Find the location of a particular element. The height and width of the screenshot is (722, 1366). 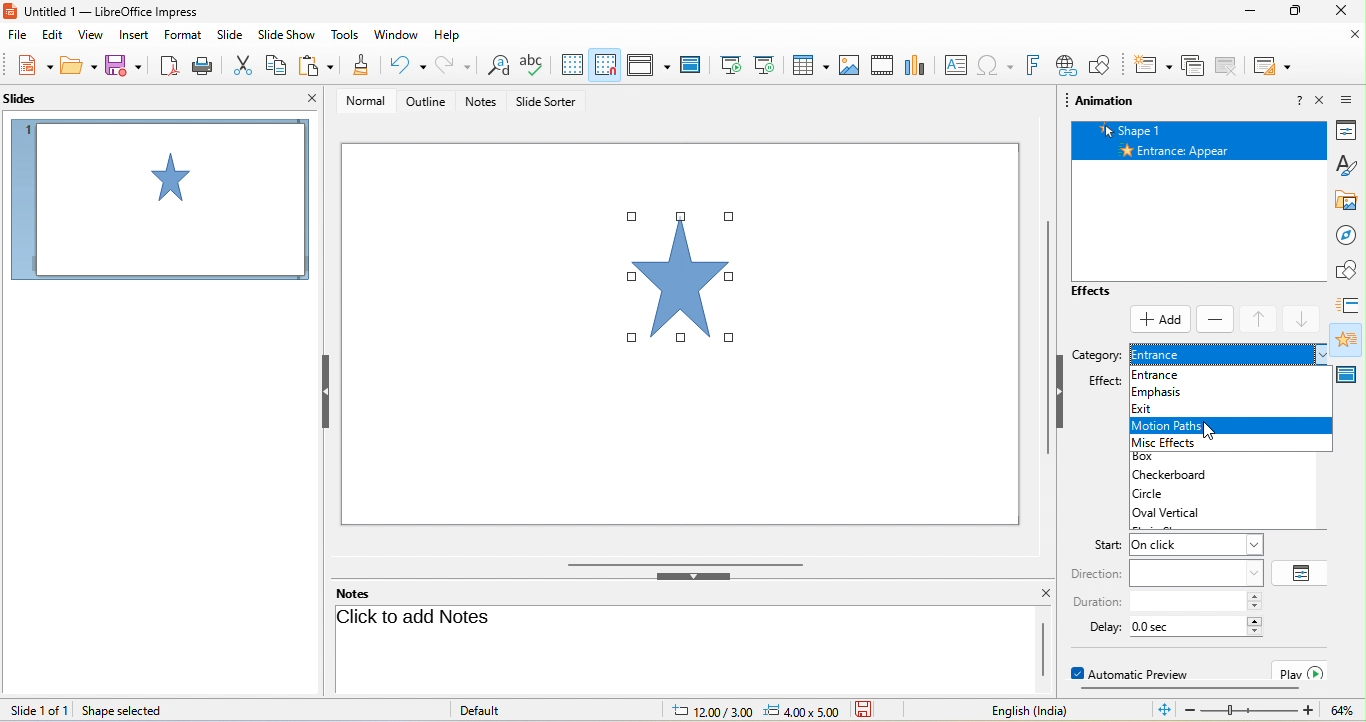

notes is located at coordinates (356, 593).